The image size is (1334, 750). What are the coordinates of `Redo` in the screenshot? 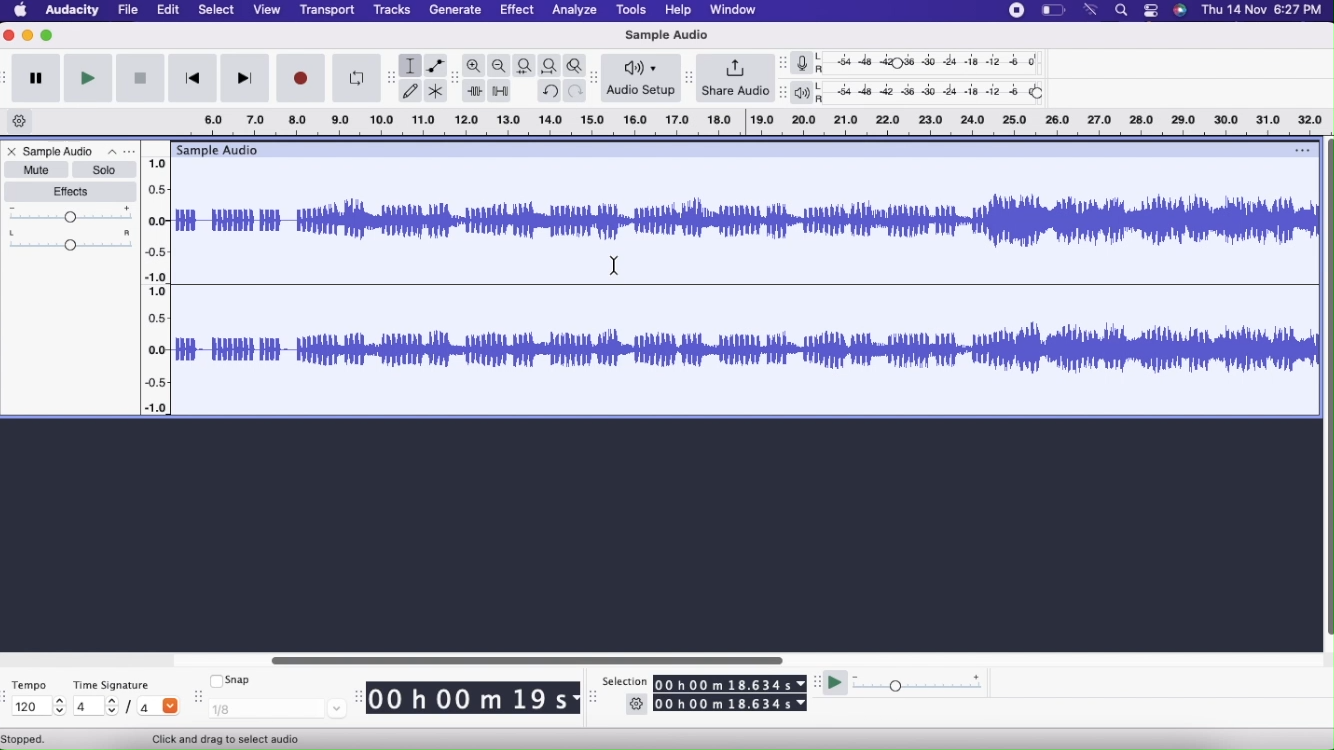 It's located at (575, 92).